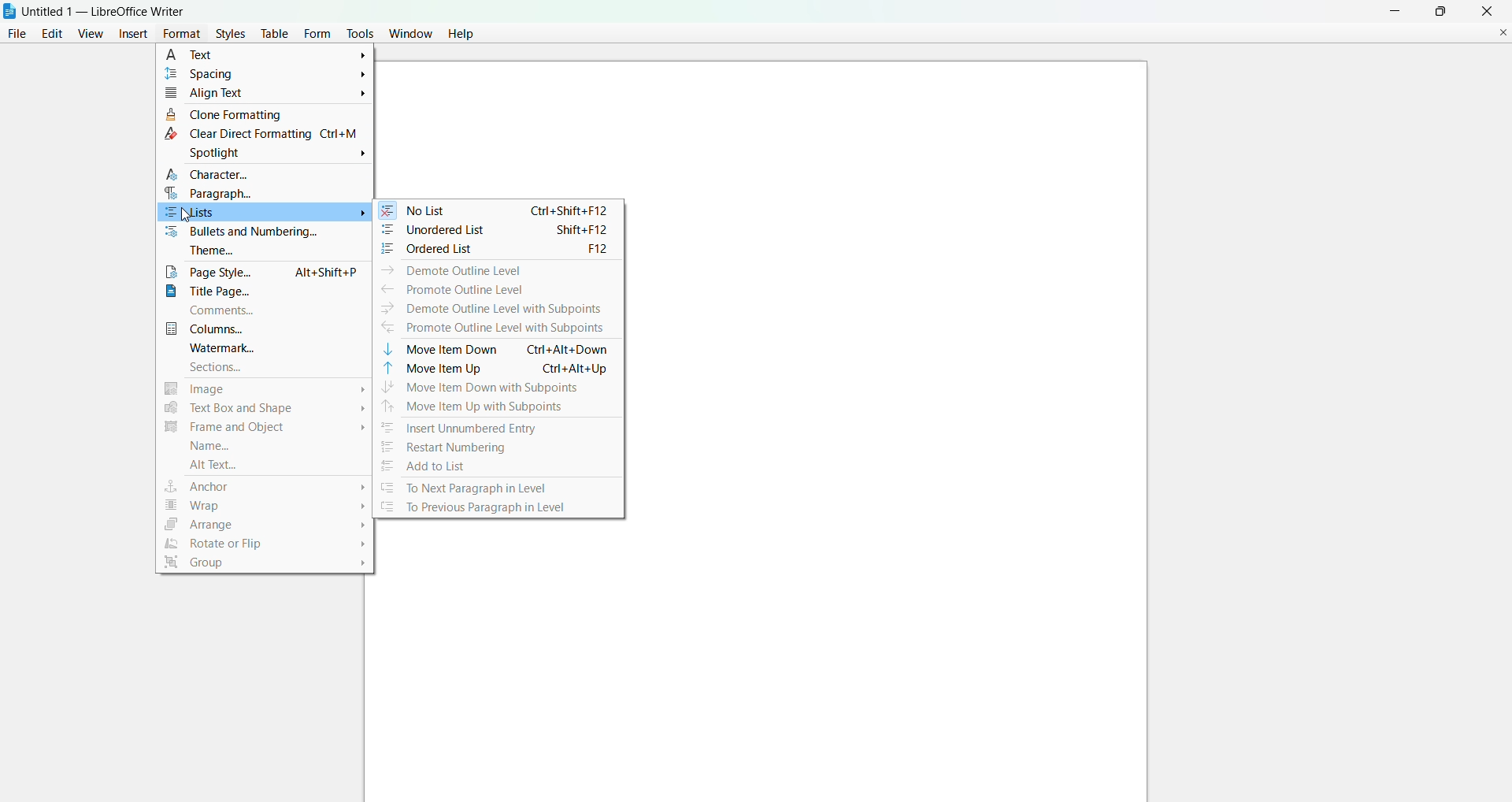 The image size is (1512, 802). Describe the element at coordinates (265, 507) in the screenshot. I see `wrap` at that location.